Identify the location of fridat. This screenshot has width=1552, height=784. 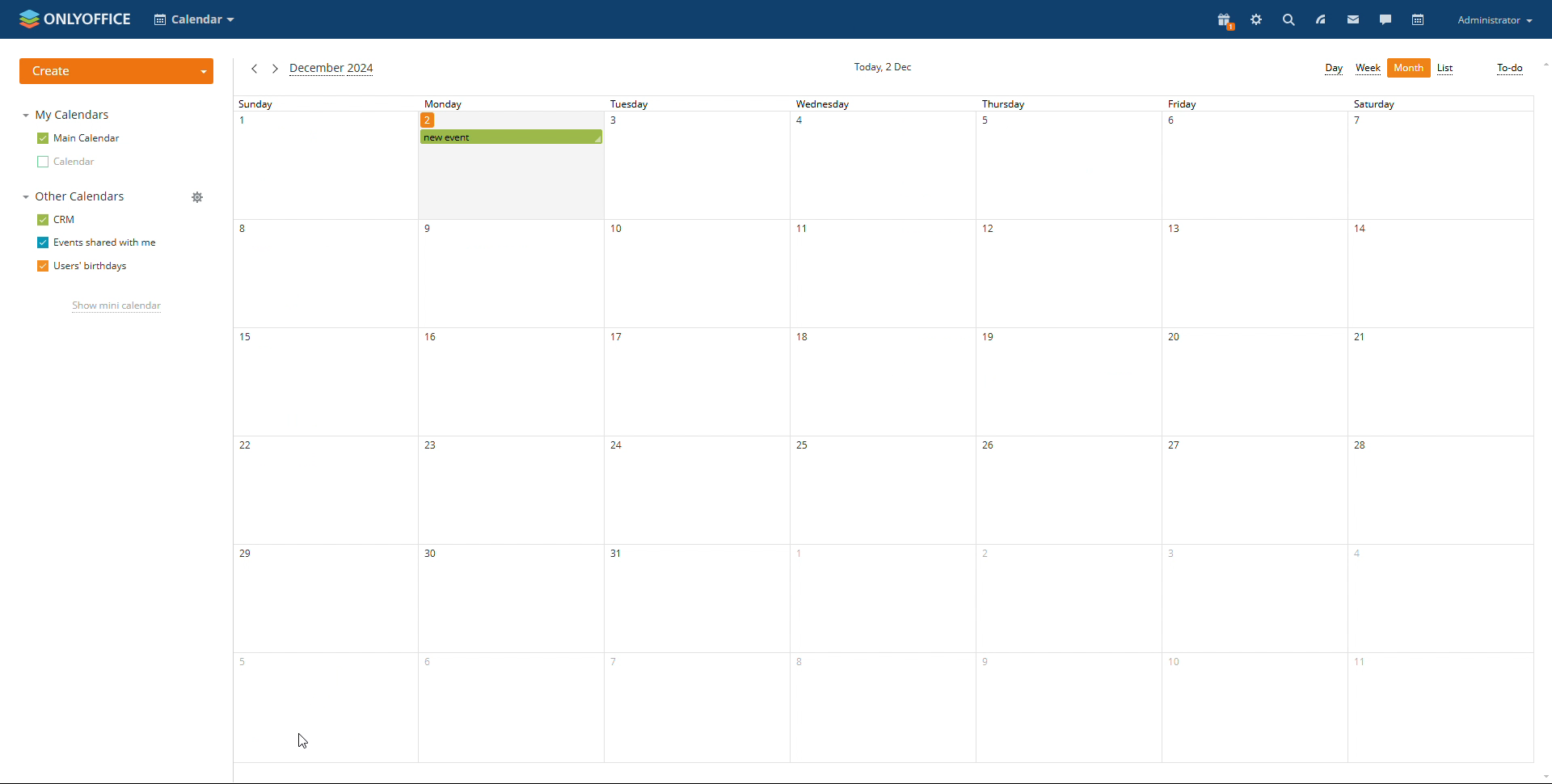
(1250, 429).